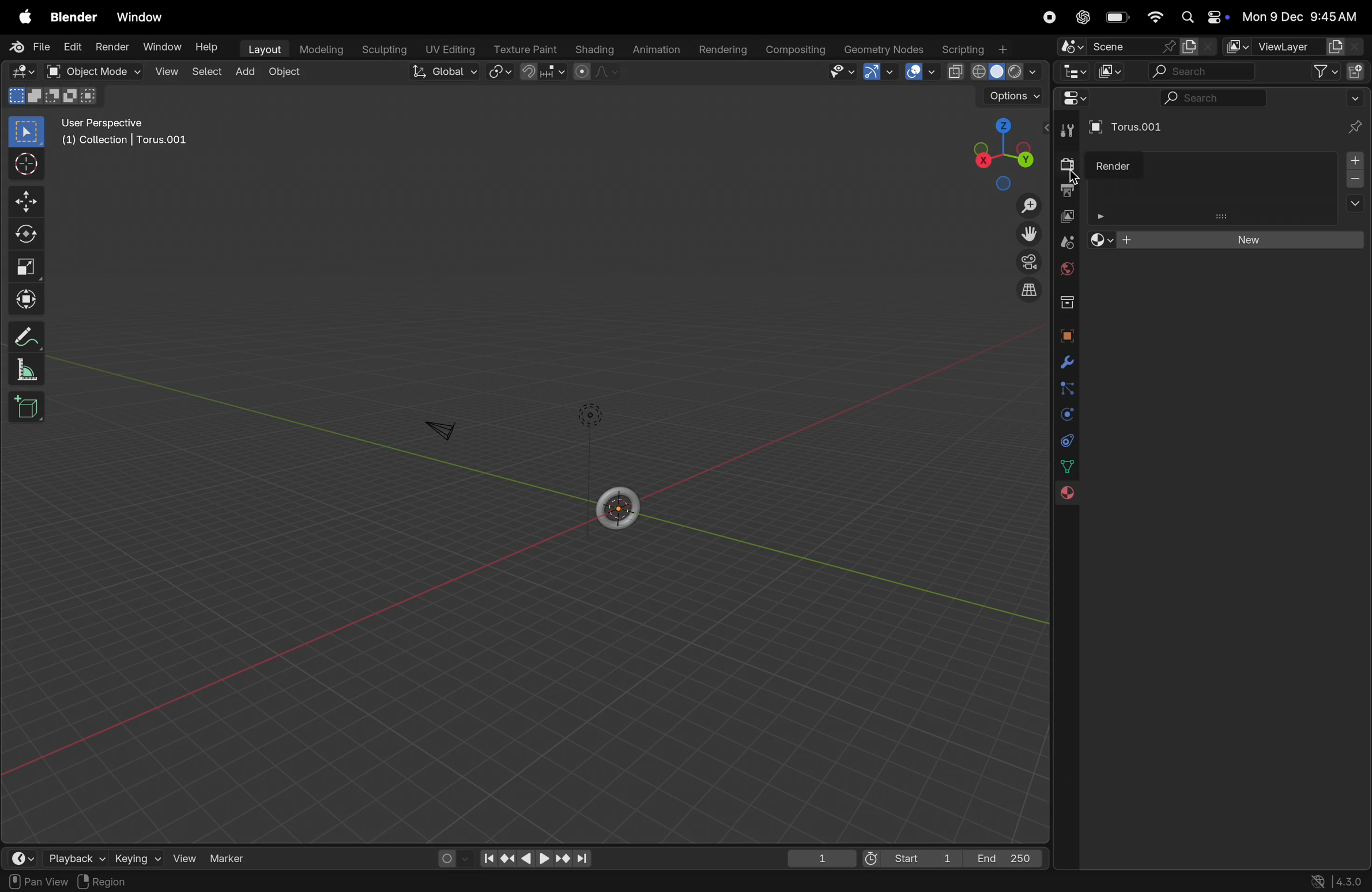 The width and height of the screenshot is (1372, 892). Describe the element at coordinates (1064, 240) in the screenshot. I see `scene` at that location.